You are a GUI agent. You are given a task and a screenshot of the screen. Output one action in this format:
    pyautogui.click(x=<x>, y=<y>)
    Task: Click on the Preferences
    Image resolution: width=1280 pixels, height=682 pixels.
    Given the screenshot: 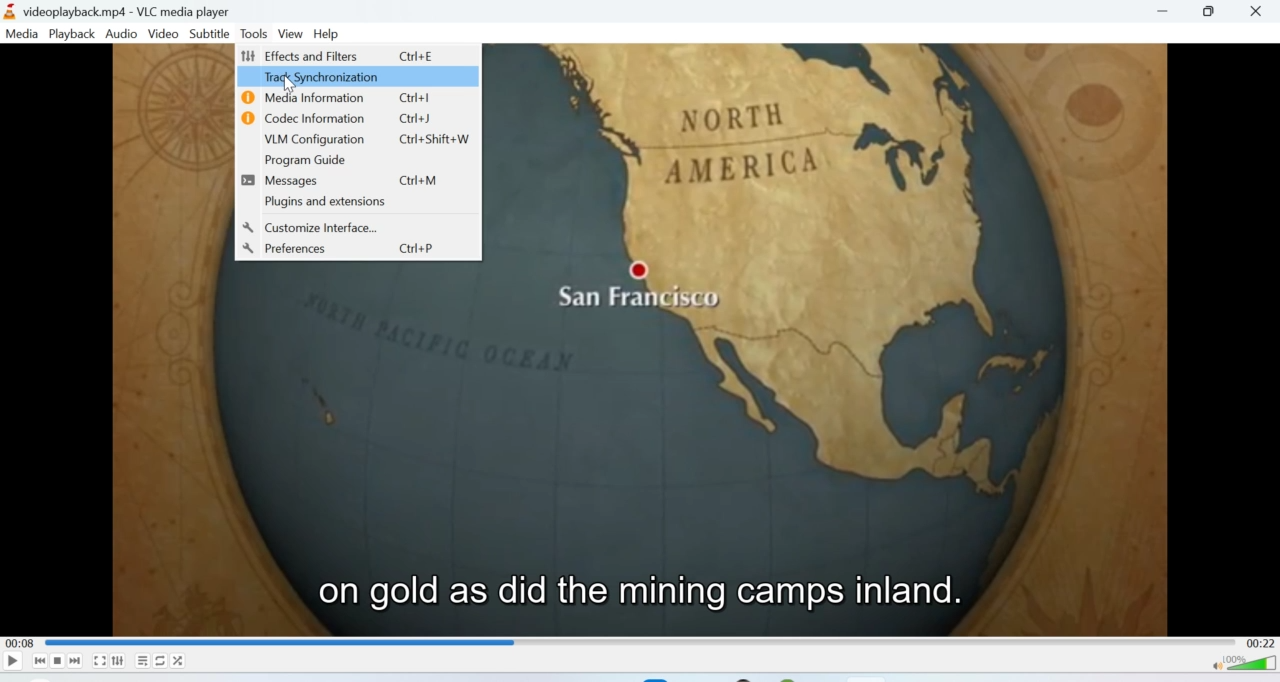 What is the action you would take?
    pyautogui.click(x=290, y=248)
    